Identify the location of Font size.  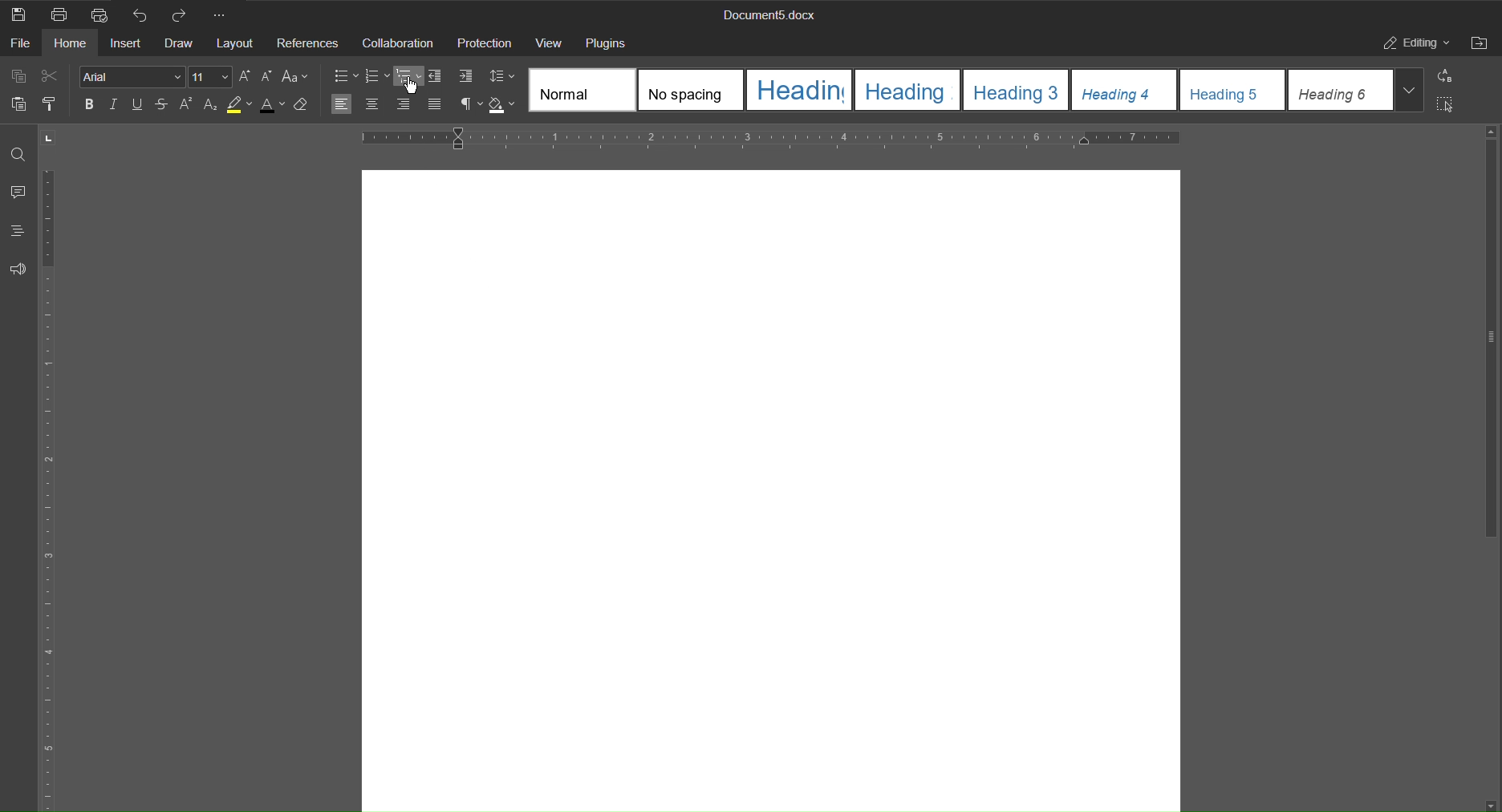
(211, 77).